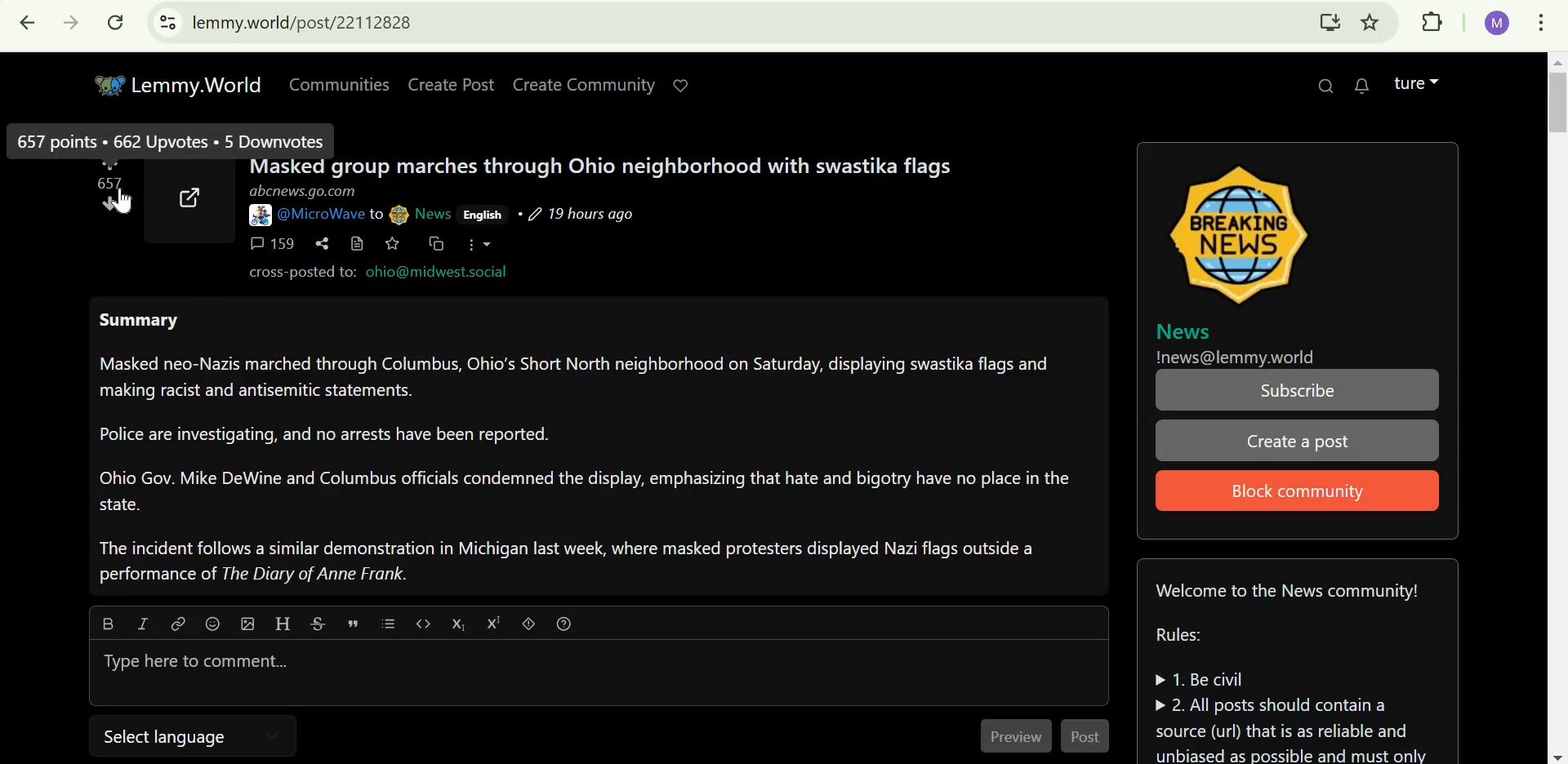 The image size is (1568, 764). I want to click on Lemmy.World, so click(177, 83).